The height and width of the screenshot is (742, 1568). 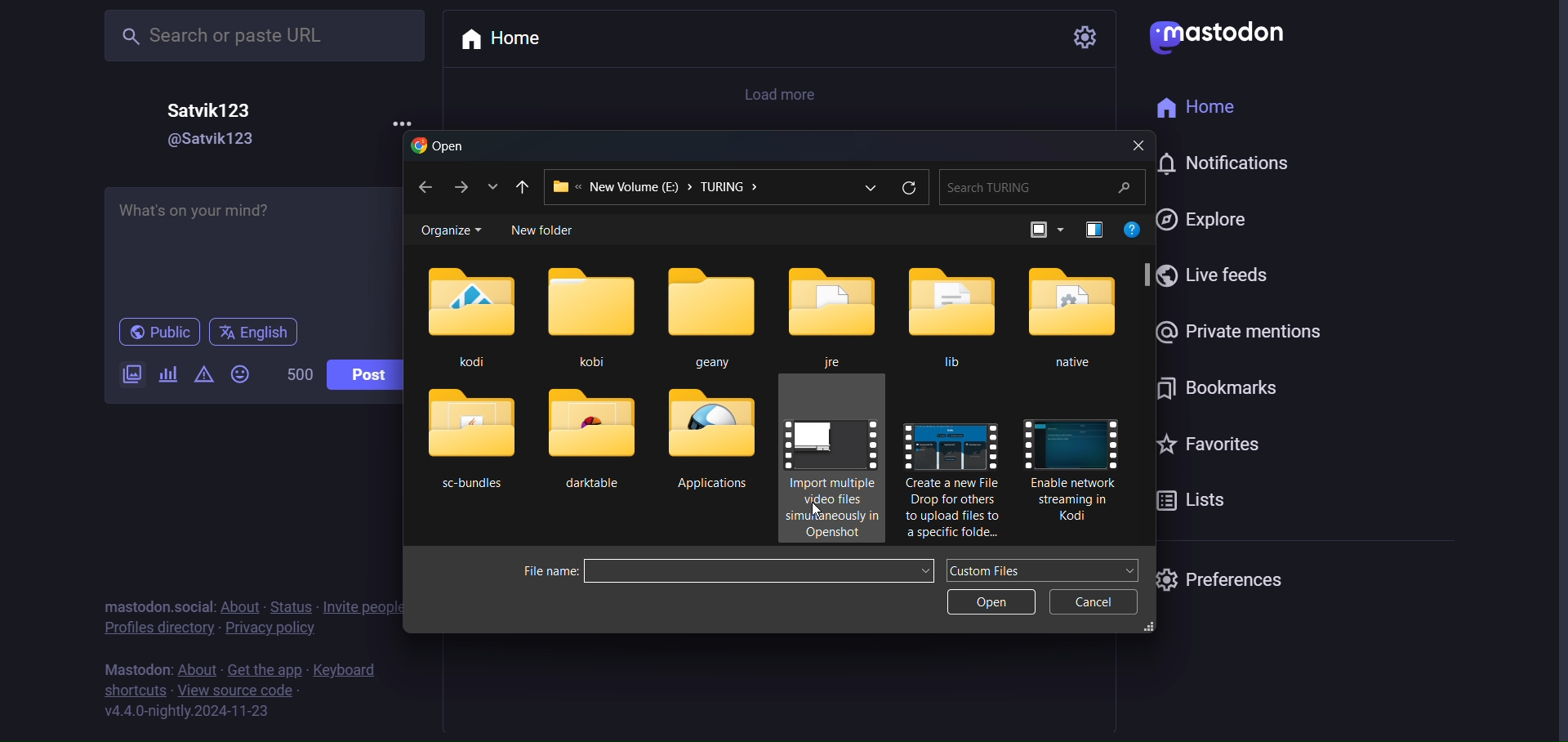 What do you see at coordinates (744, 570) in the screenshot?
I see `selected file name` at bounding box center [744, 570].